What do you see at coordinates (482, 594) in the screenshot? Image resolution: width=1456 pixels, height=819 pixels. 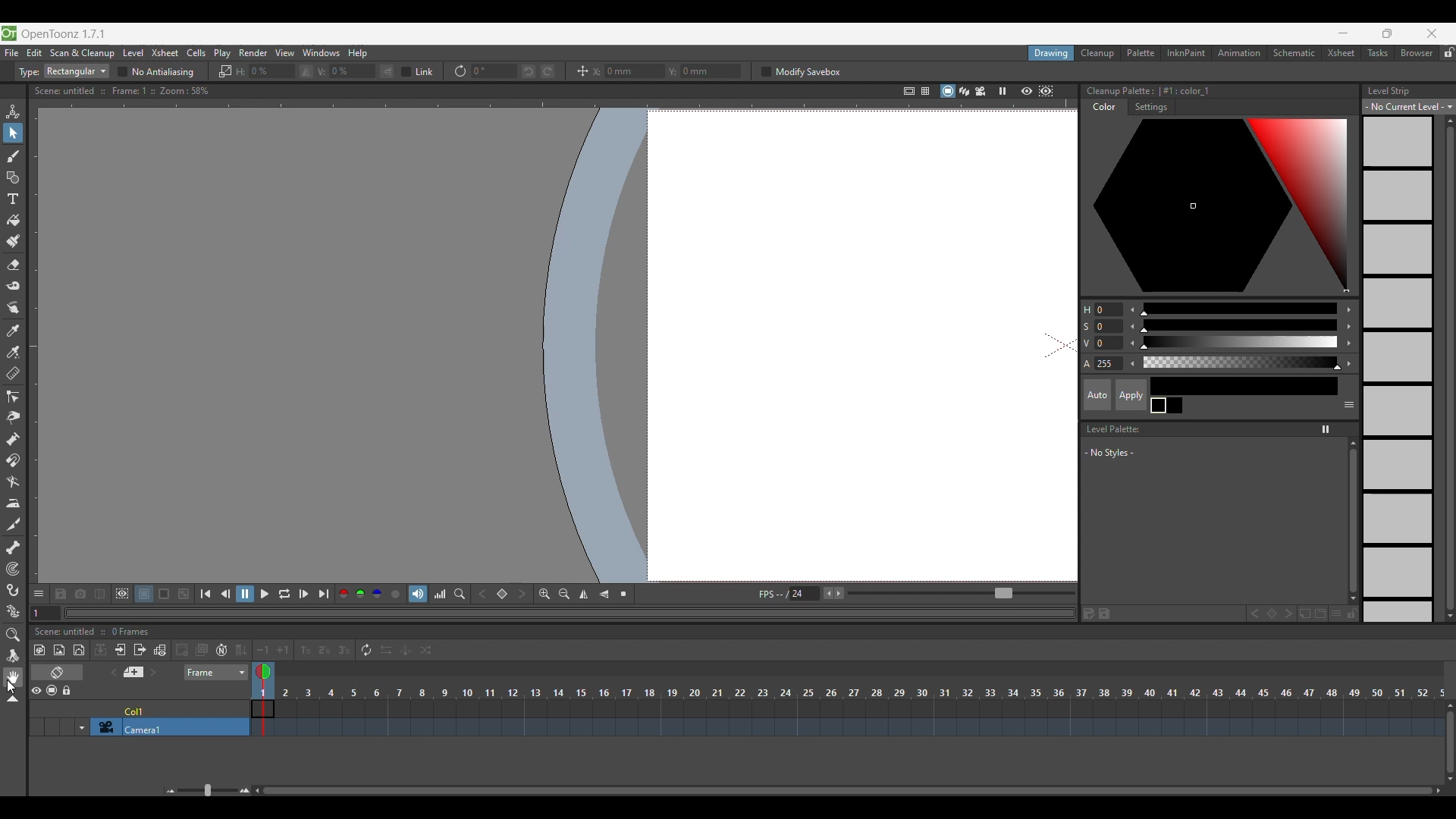 I see `Previous key` at bounding box center [482, 594].